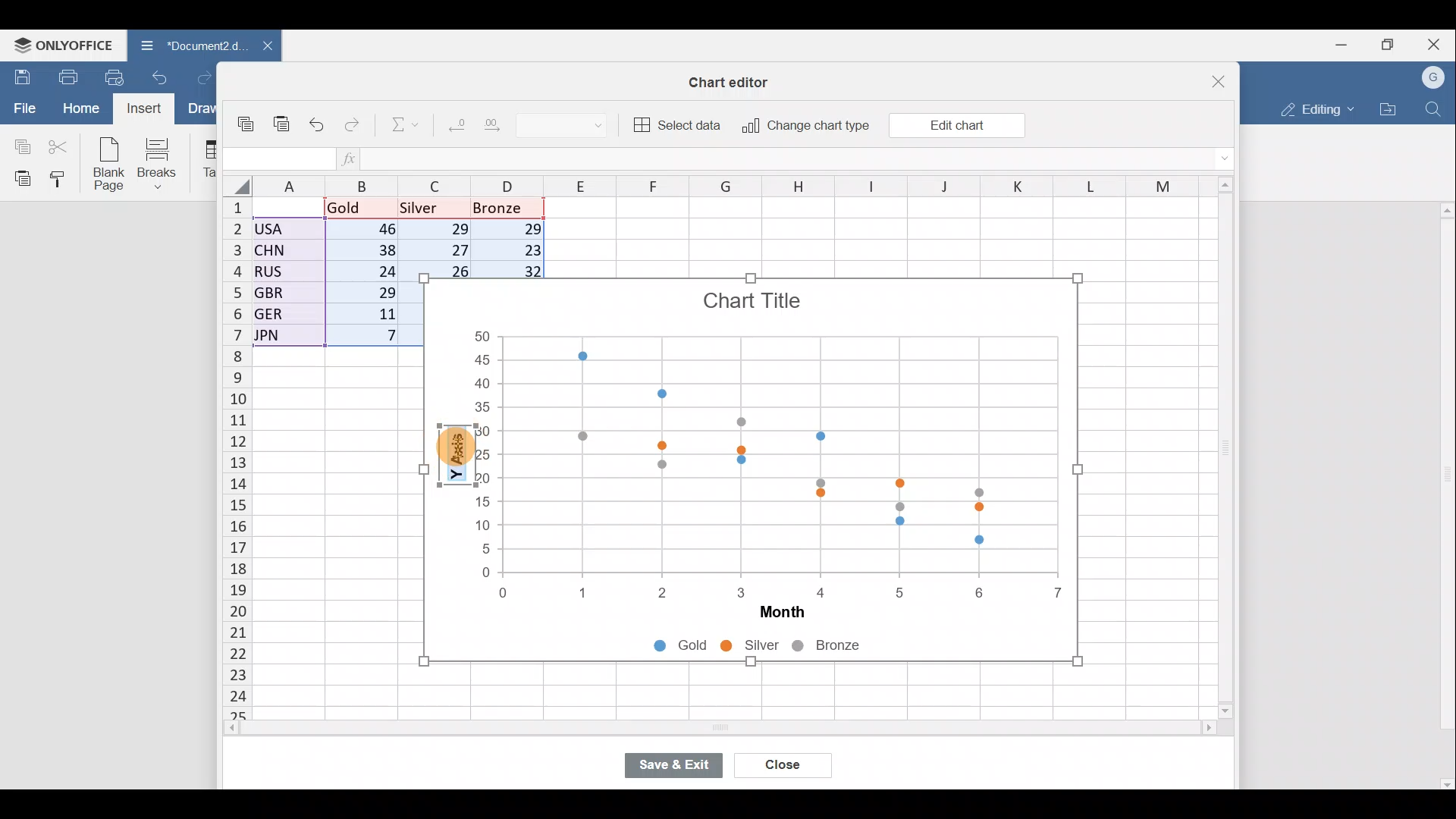 Image resolution: width=1456 pixels, height=819 pixels. I want to click on Chart image, so click(775, 437).